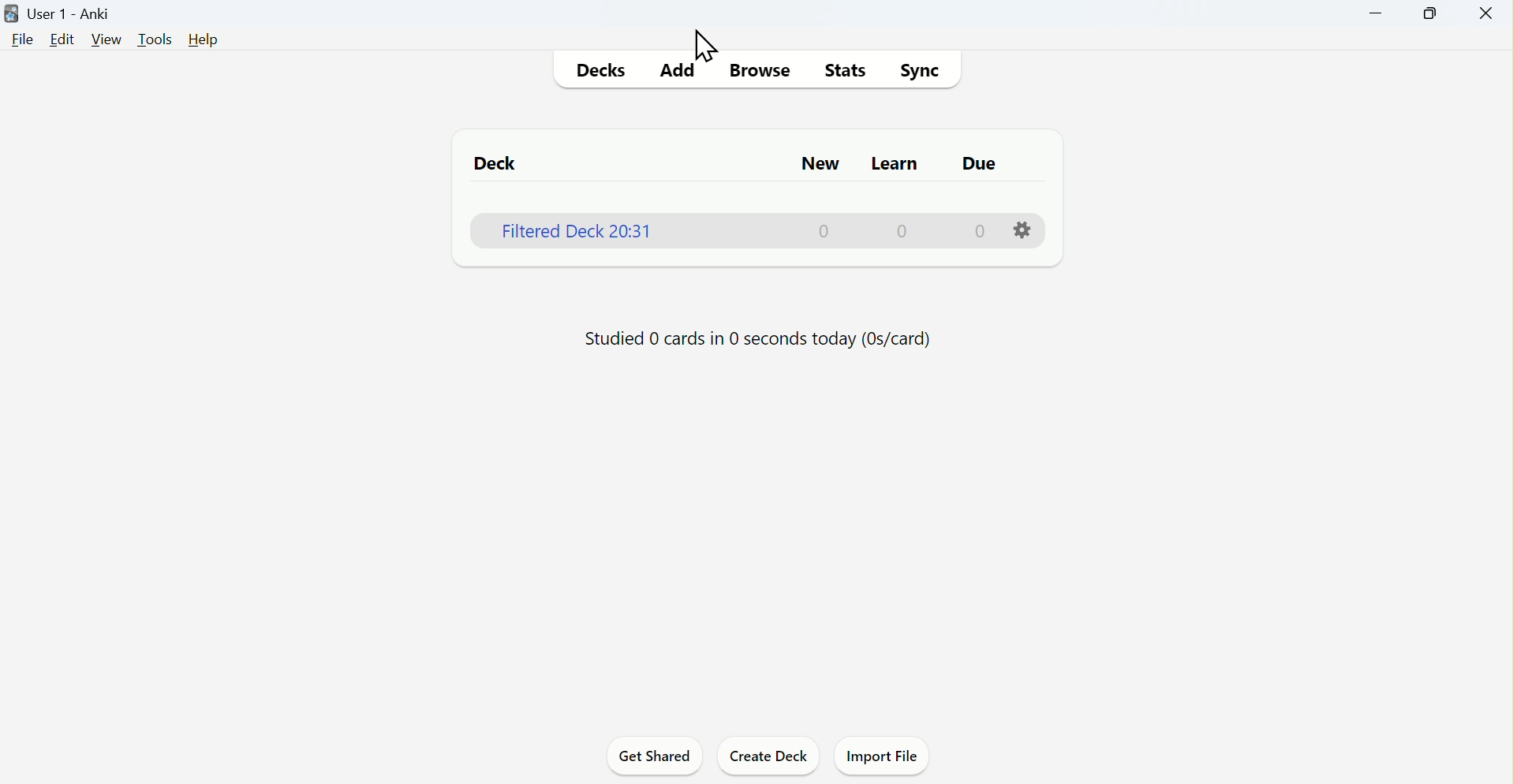 Image resolution: width=1513 pixels, height=784 pixels. What do you see at coordinates (1482, 17) in the screenshot?
I see `Close` at bounding box center [1482, 17].